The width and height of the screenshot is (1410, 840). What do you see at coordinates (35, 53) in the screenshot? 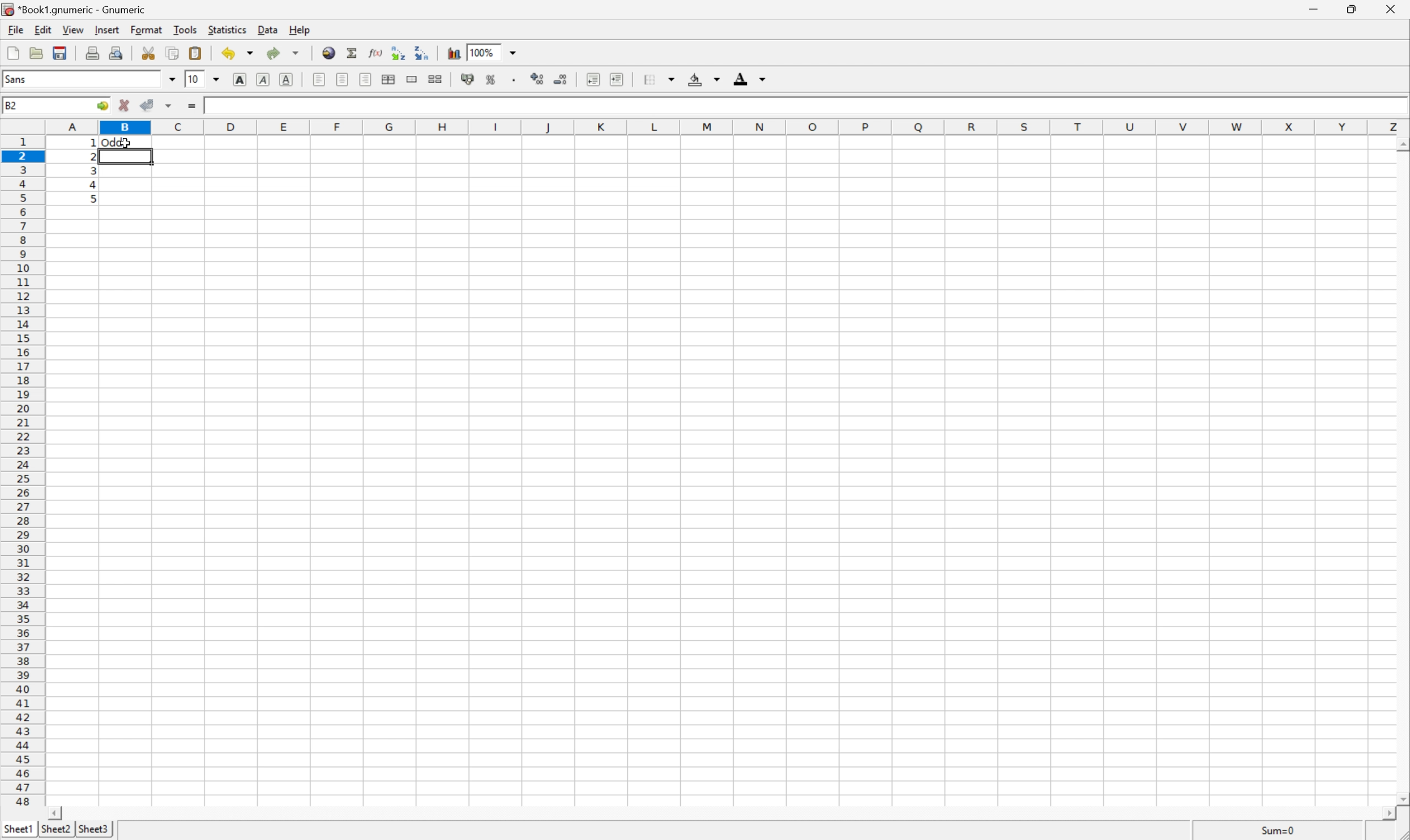
I see `Open a file` at bounding box center [35, 53].